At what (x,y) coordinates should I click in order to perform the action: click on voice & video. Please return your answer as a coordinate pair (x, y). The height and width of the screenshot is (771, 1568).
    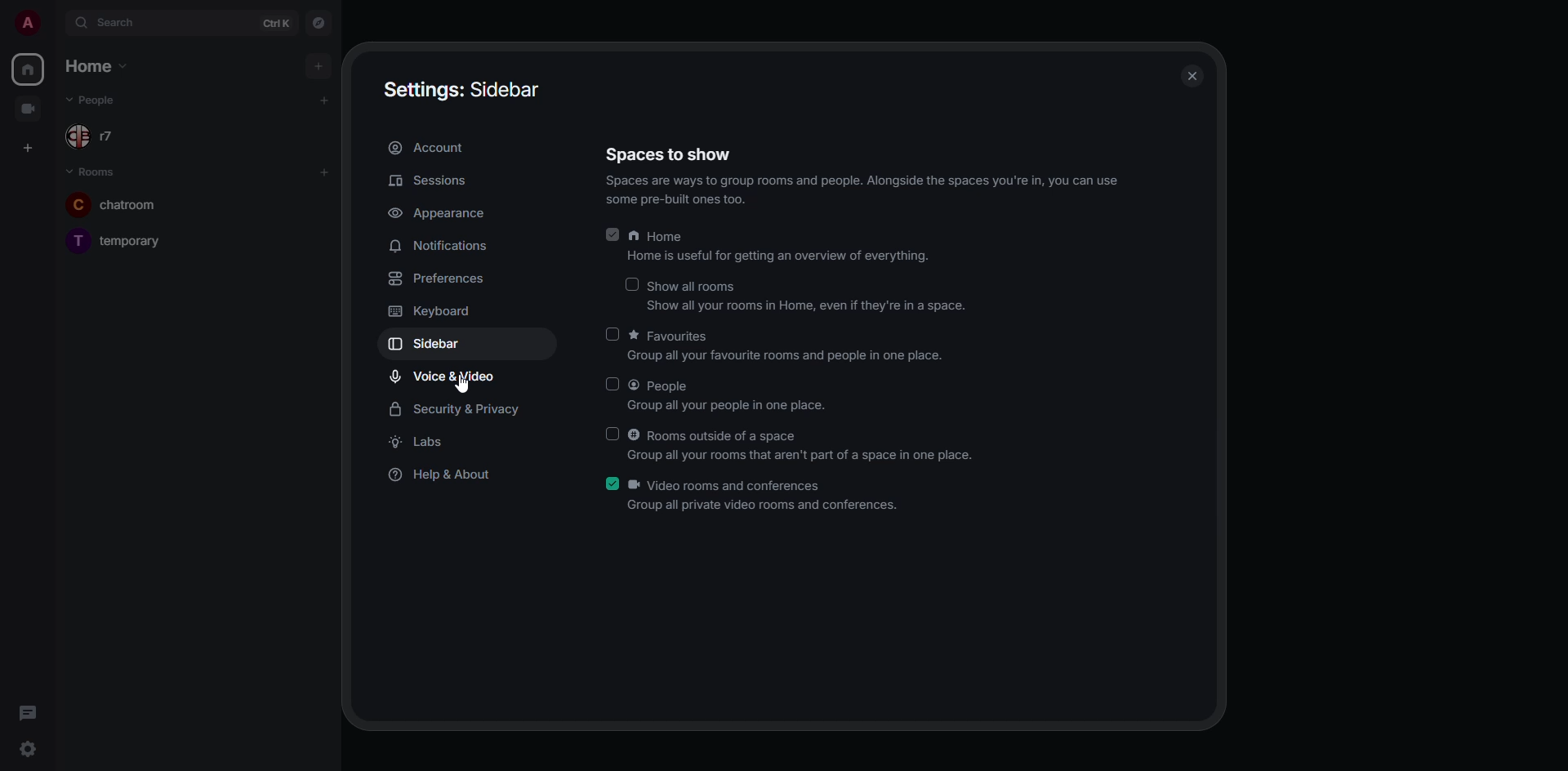
    Looking at the image, I should click on (439, 377).